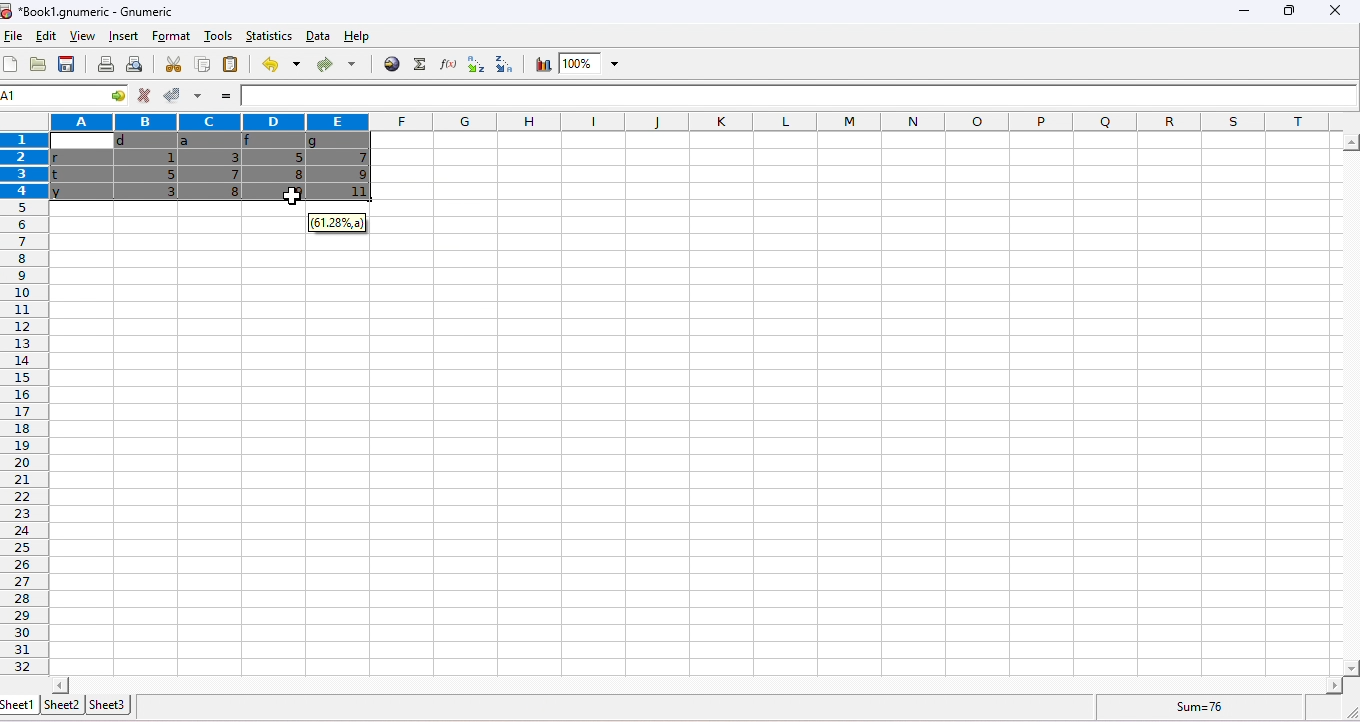  I want to click on sort descending, so click(500, 64).